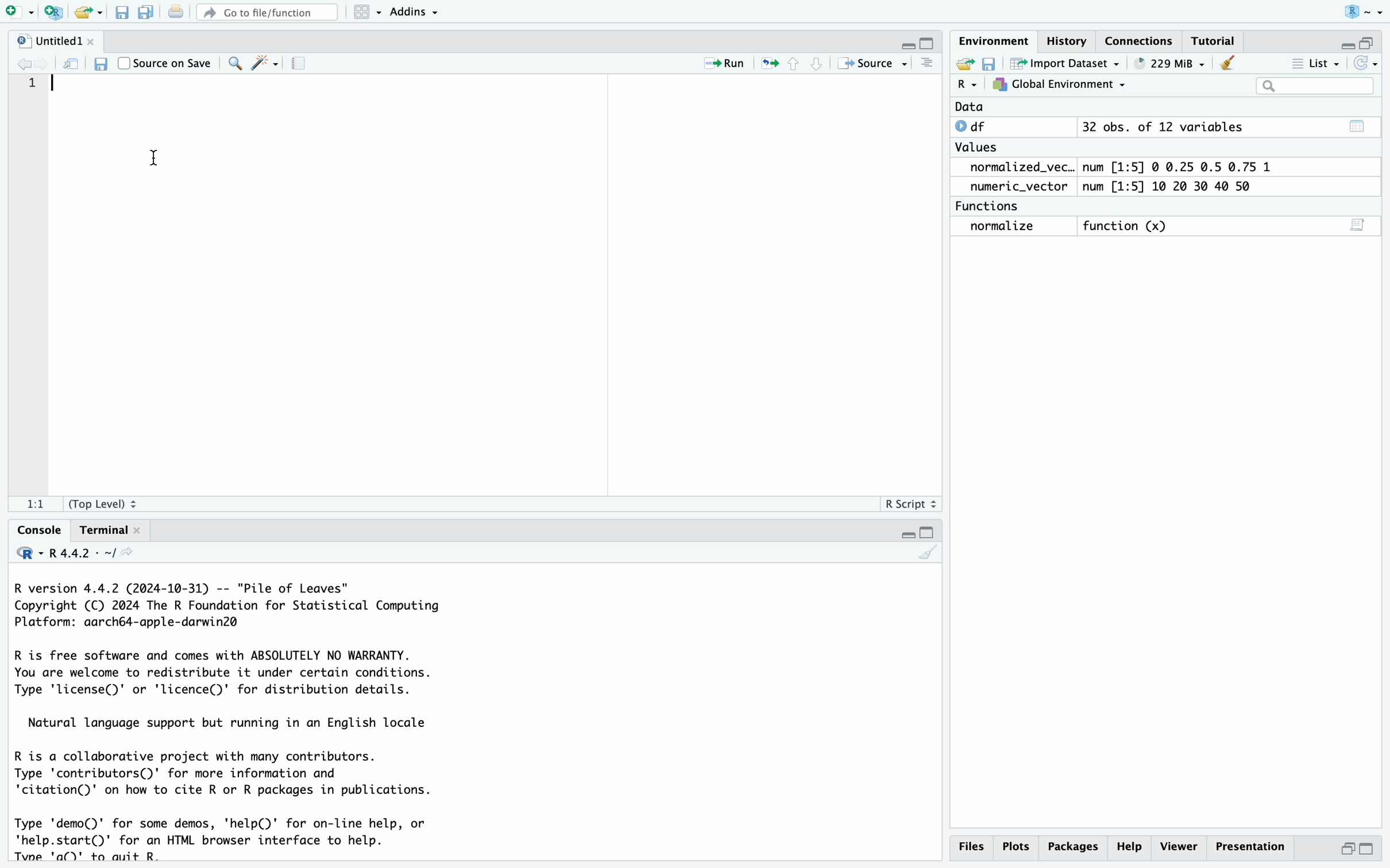  Describe the element at coordinates (930, 44) in the screenshot. I see `maximize` at that location.